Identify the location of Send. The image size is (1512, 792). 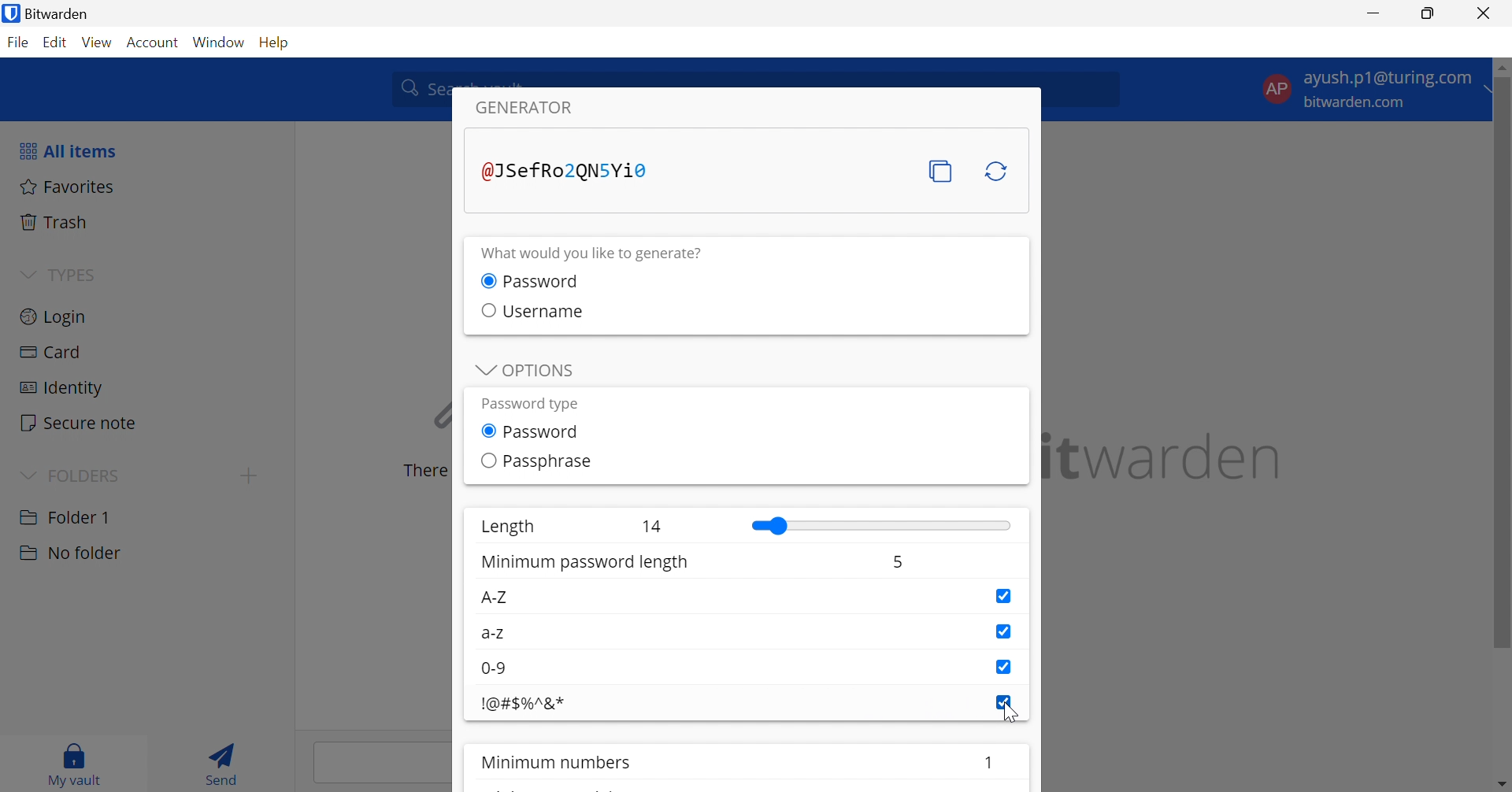
(224, 762).